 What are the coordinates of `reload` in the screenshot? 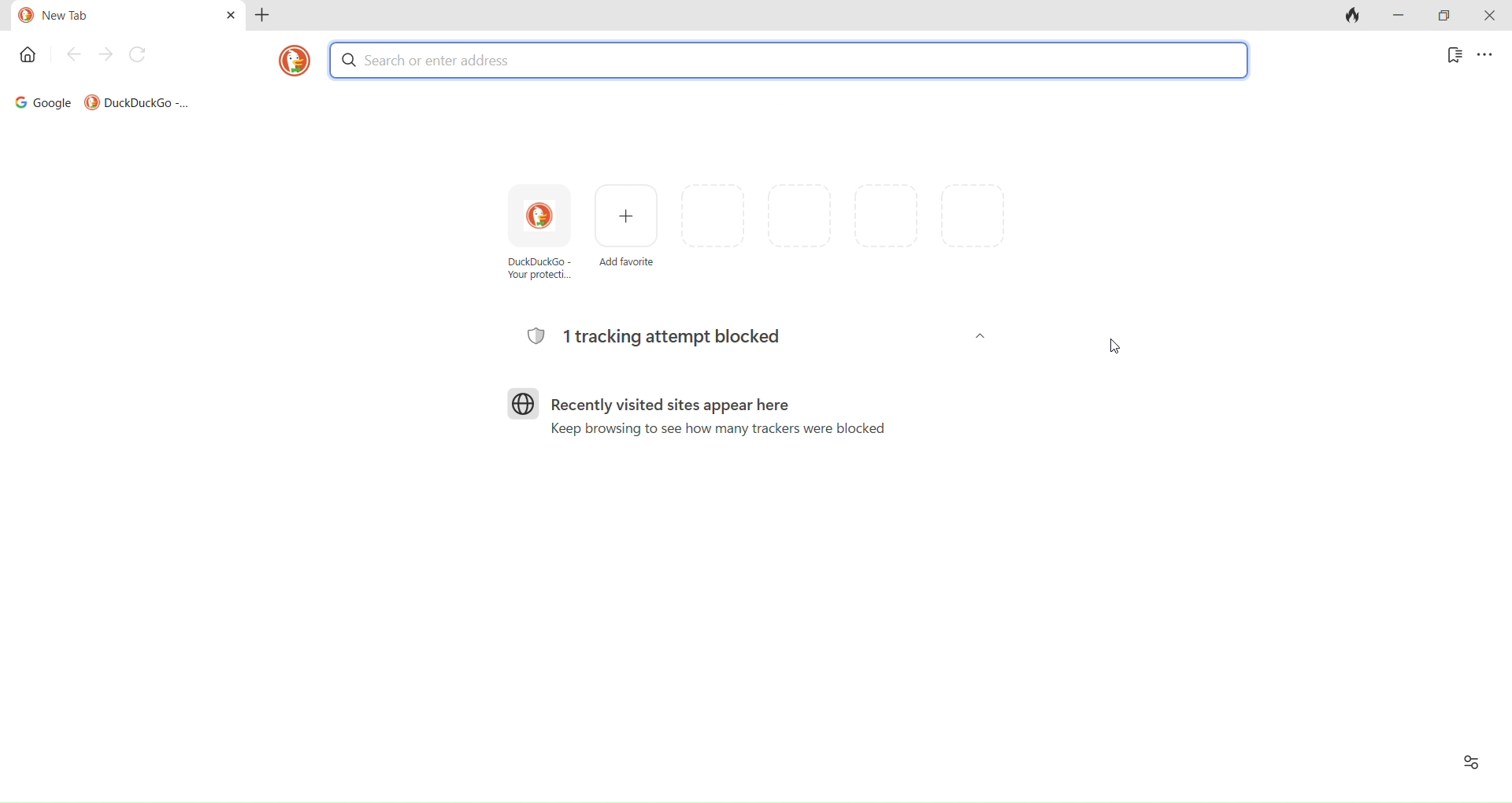 It's located at (139, 57).